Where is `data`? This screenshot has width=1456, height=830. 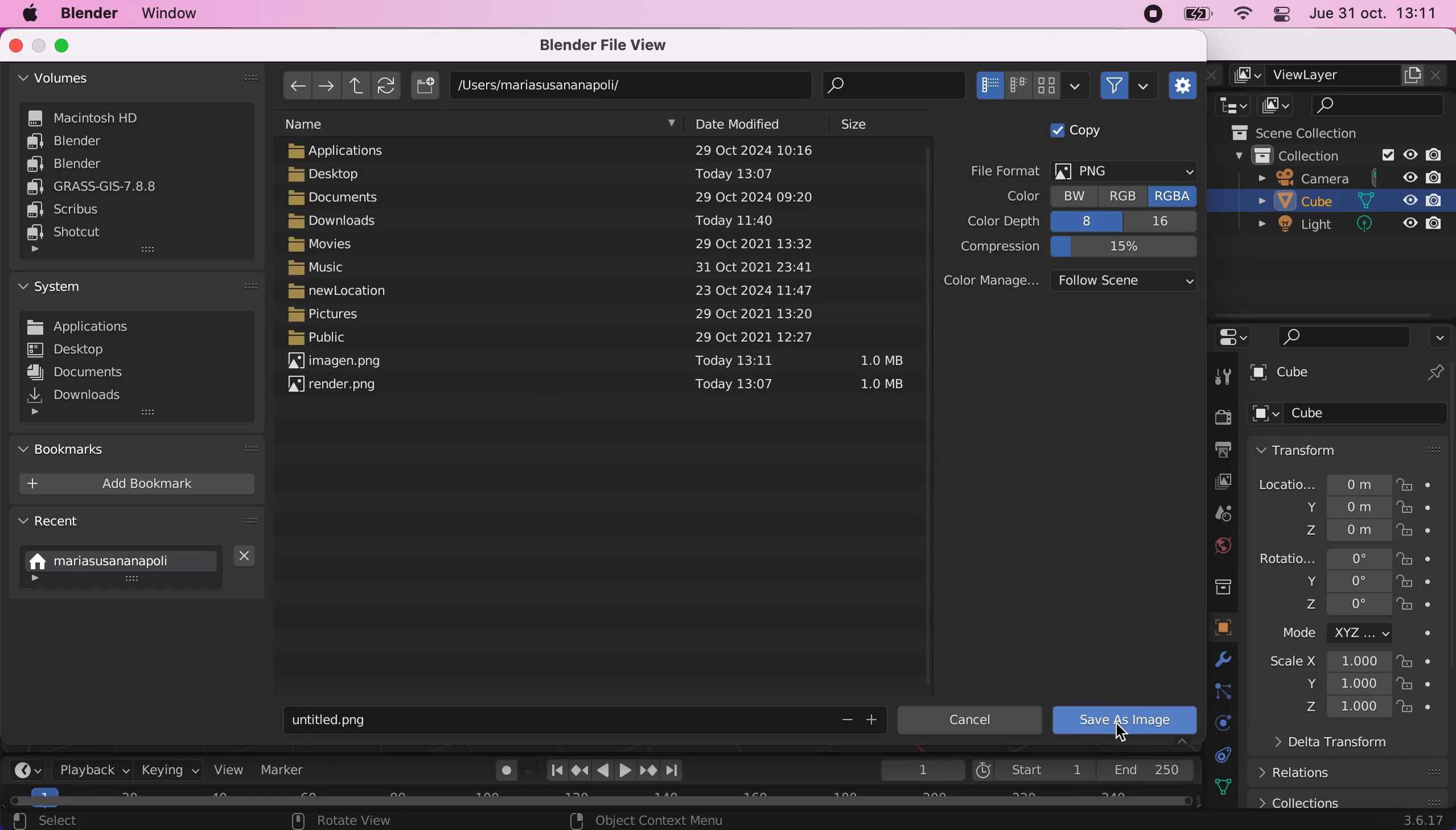
data is located at coordinates (1227, 755).